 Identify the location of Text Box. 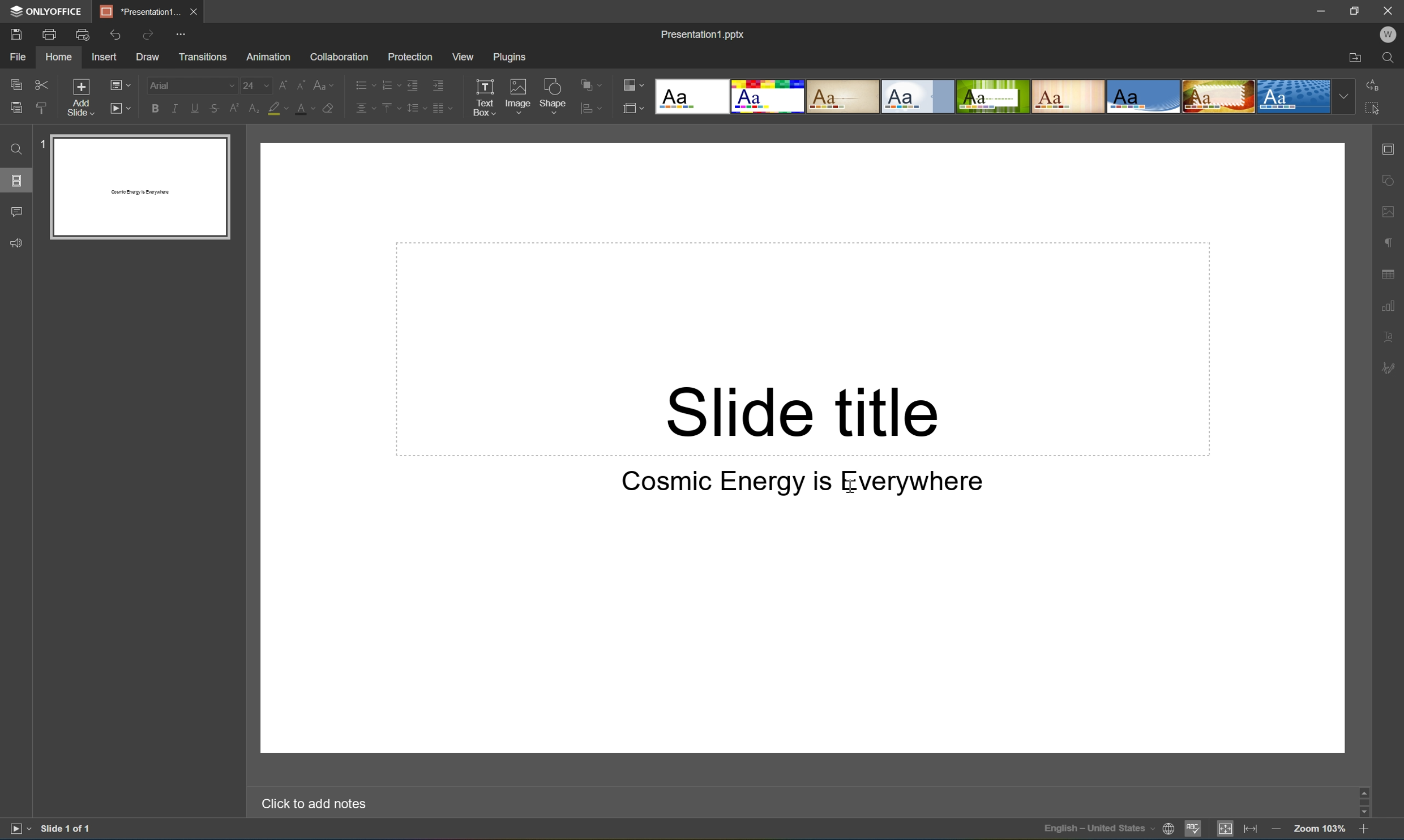
(486, 96).